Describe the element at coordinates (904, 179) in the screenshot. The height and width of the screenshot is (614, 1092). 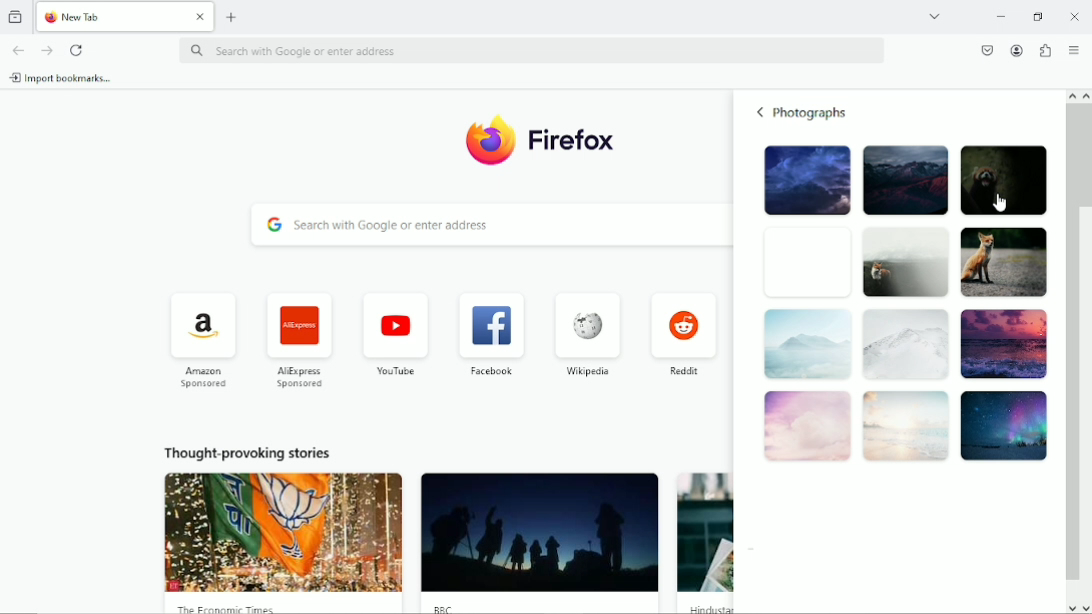
I see `Photograph` at that location.